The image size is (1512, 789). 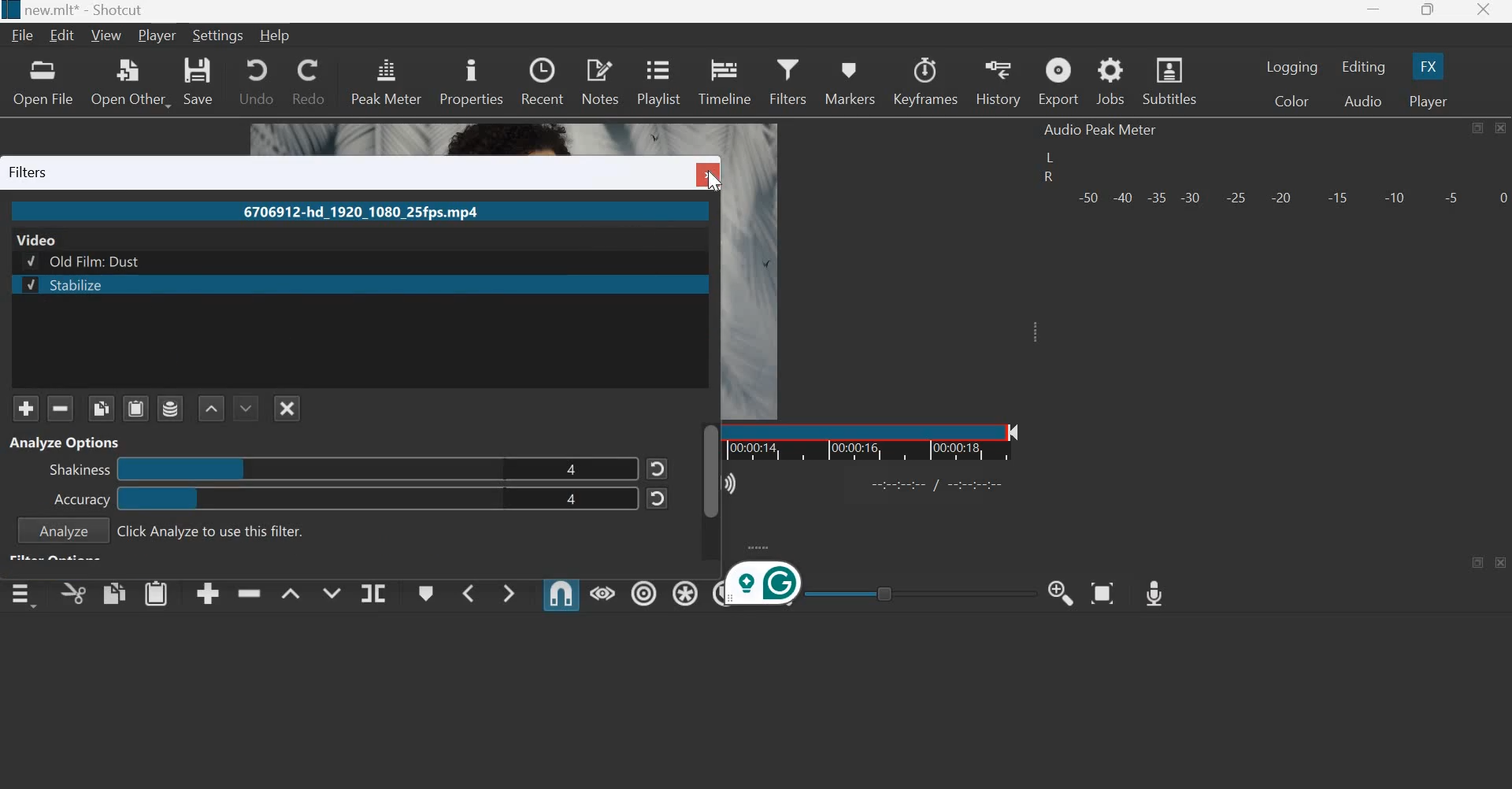 What do you see at coordinates (724, 80) in the screenshot?
I see `Timeline` at bounding box center [724, 80].